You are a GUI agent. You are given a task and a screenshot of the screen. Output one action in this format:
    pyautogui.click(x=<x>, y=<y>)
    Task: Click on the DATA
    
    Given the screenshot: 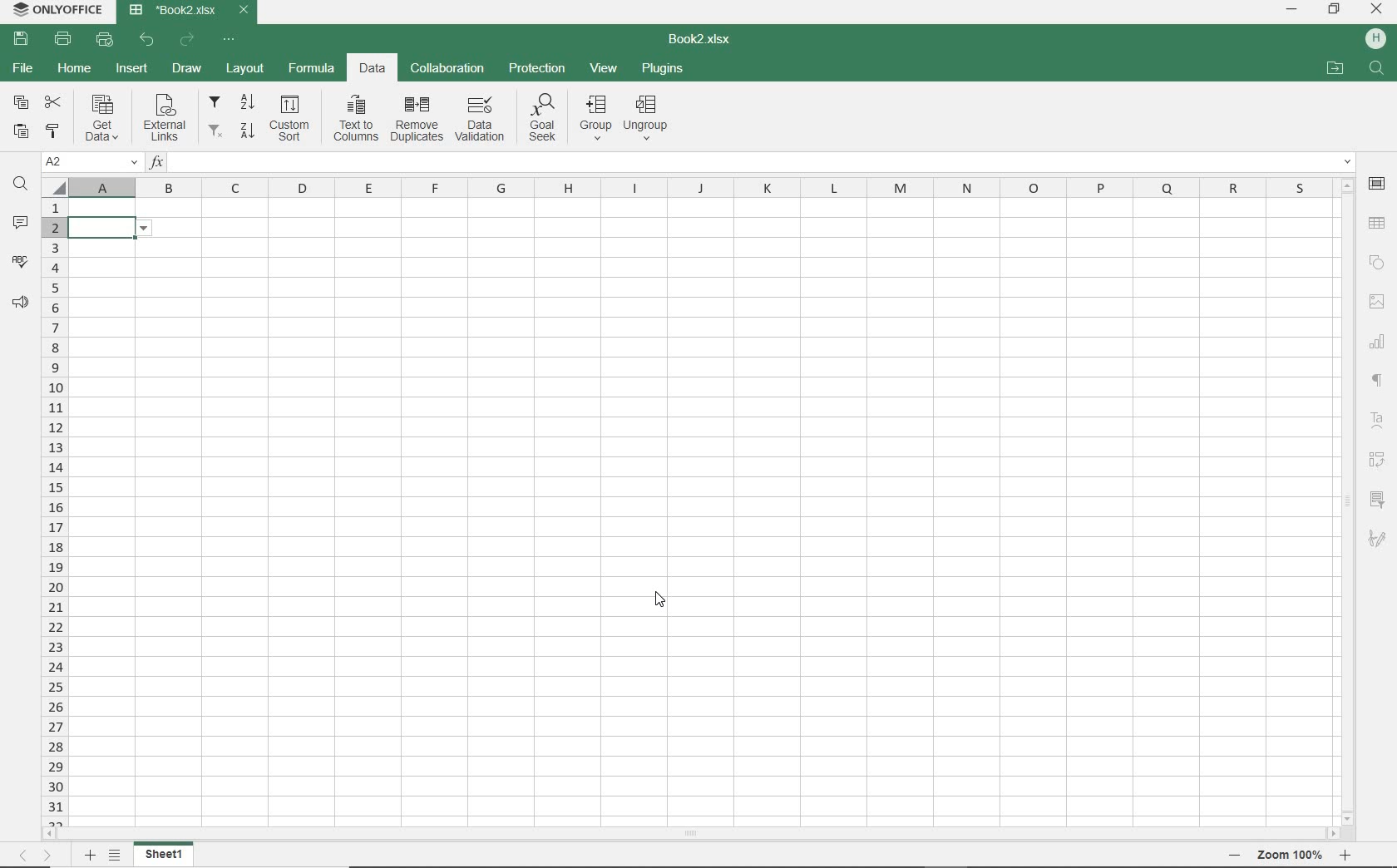 What is the action you would take?
    pyautogui.click(x=371, y=67)
    